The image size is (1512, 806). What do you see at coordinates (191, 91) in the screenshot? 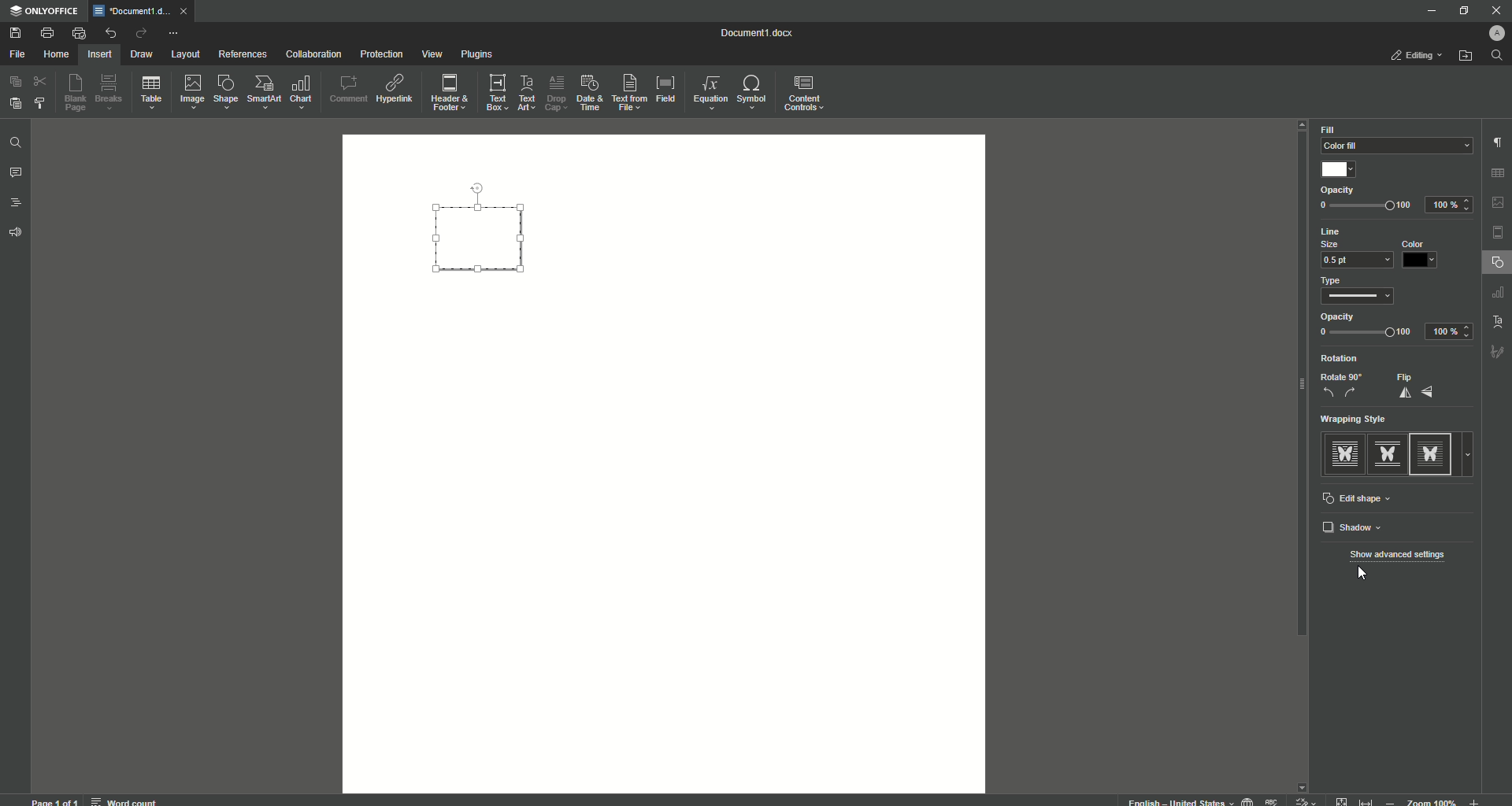
I see `Image` at bounding box center [191, 91].